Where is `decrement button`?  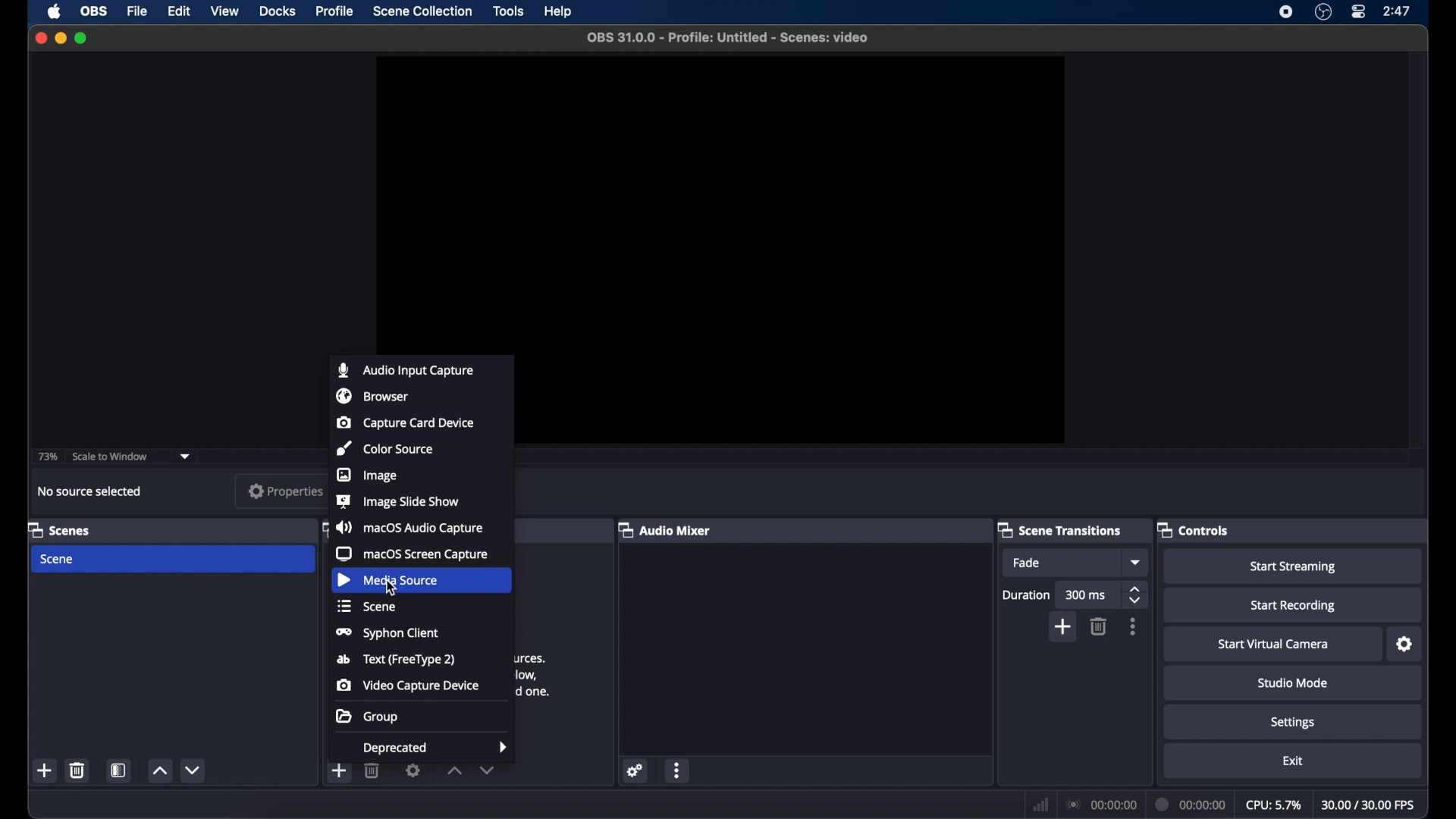
decrement button is located at coordinates (487, 770).